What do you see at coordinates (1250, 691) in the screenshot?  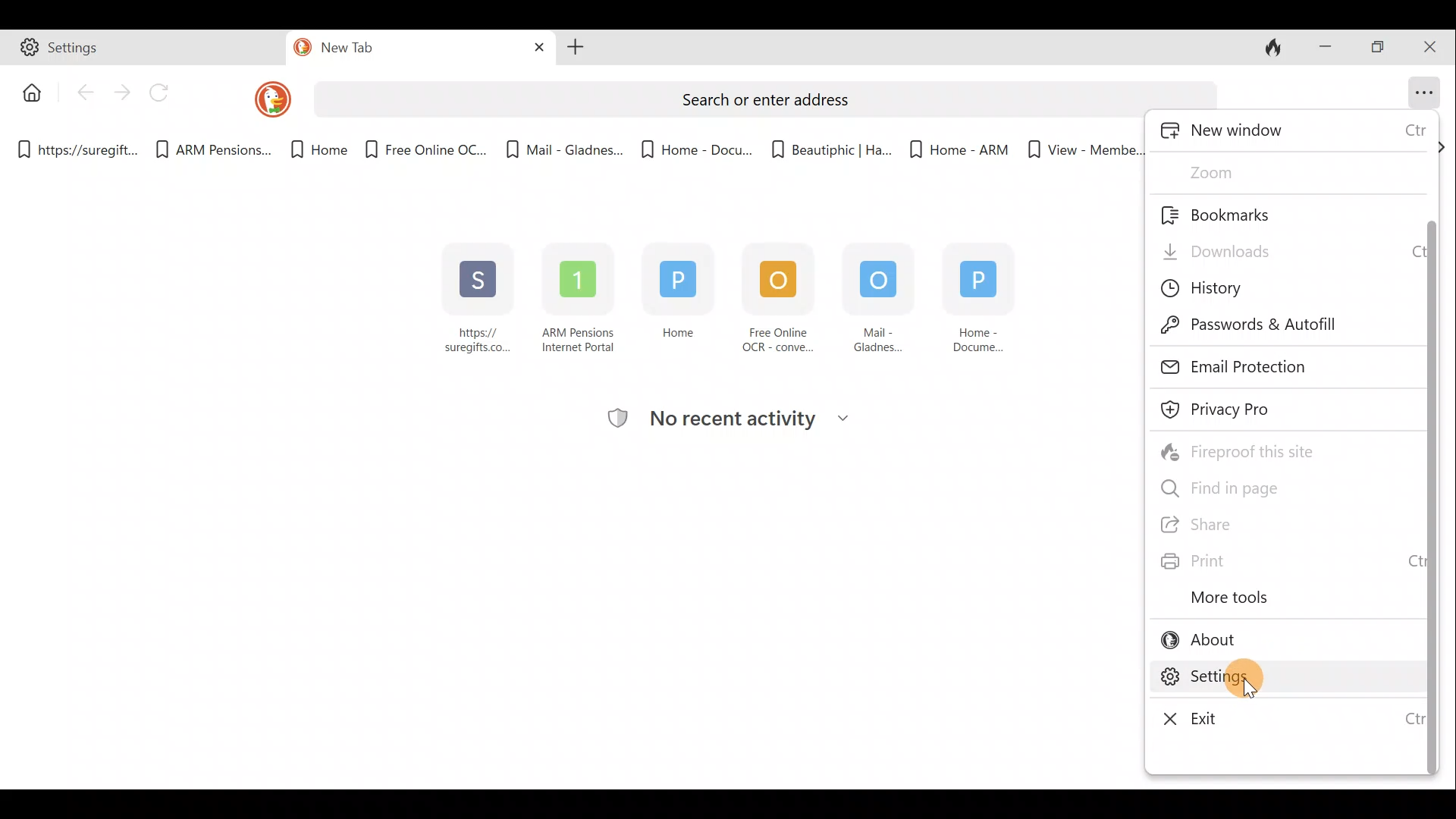 I see `cursor` at bounding box center [1250, 691].